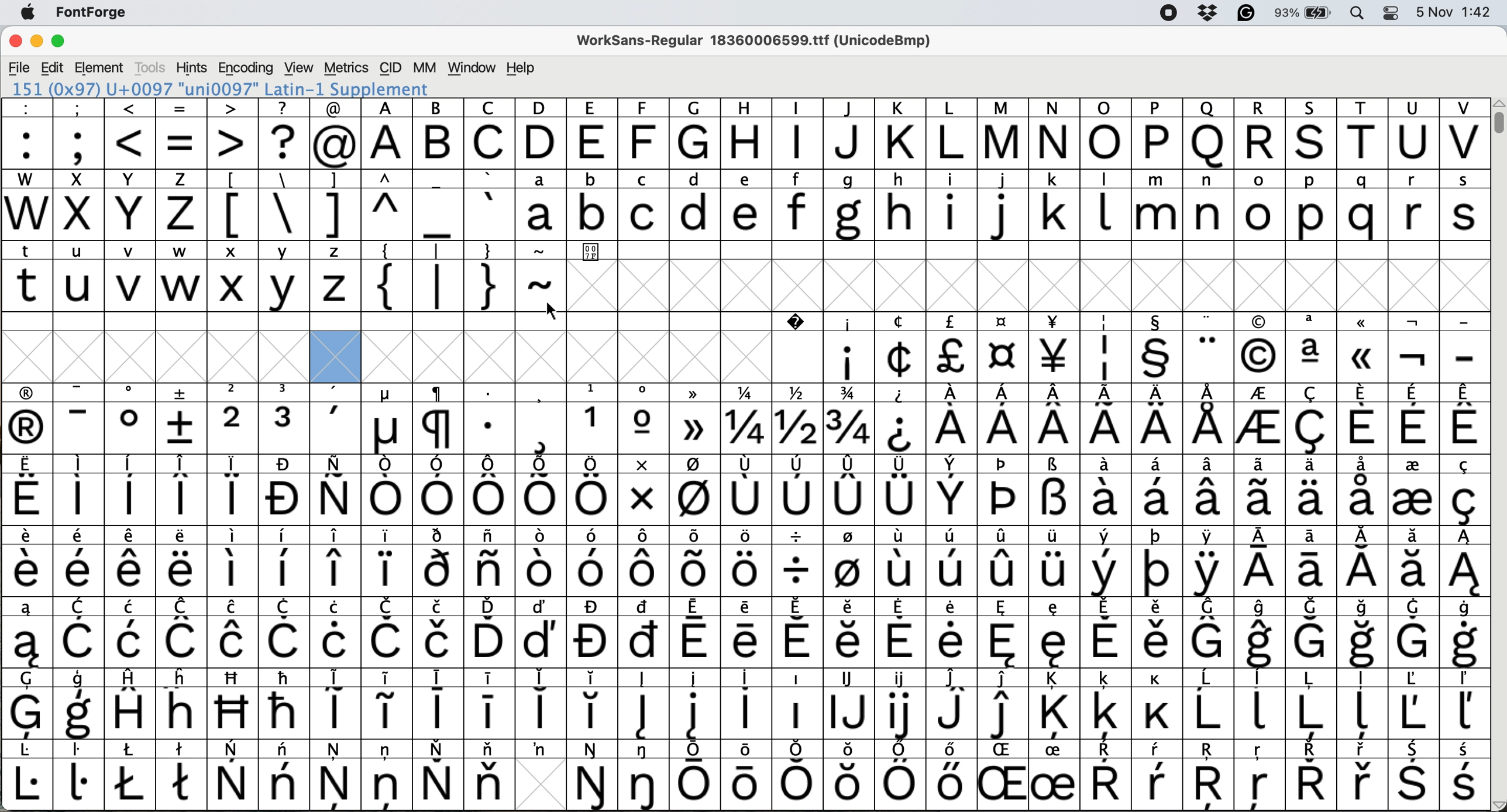 The height and width of the screenshot is (812, 1507). I want to click on symbol, so click(286, 418).